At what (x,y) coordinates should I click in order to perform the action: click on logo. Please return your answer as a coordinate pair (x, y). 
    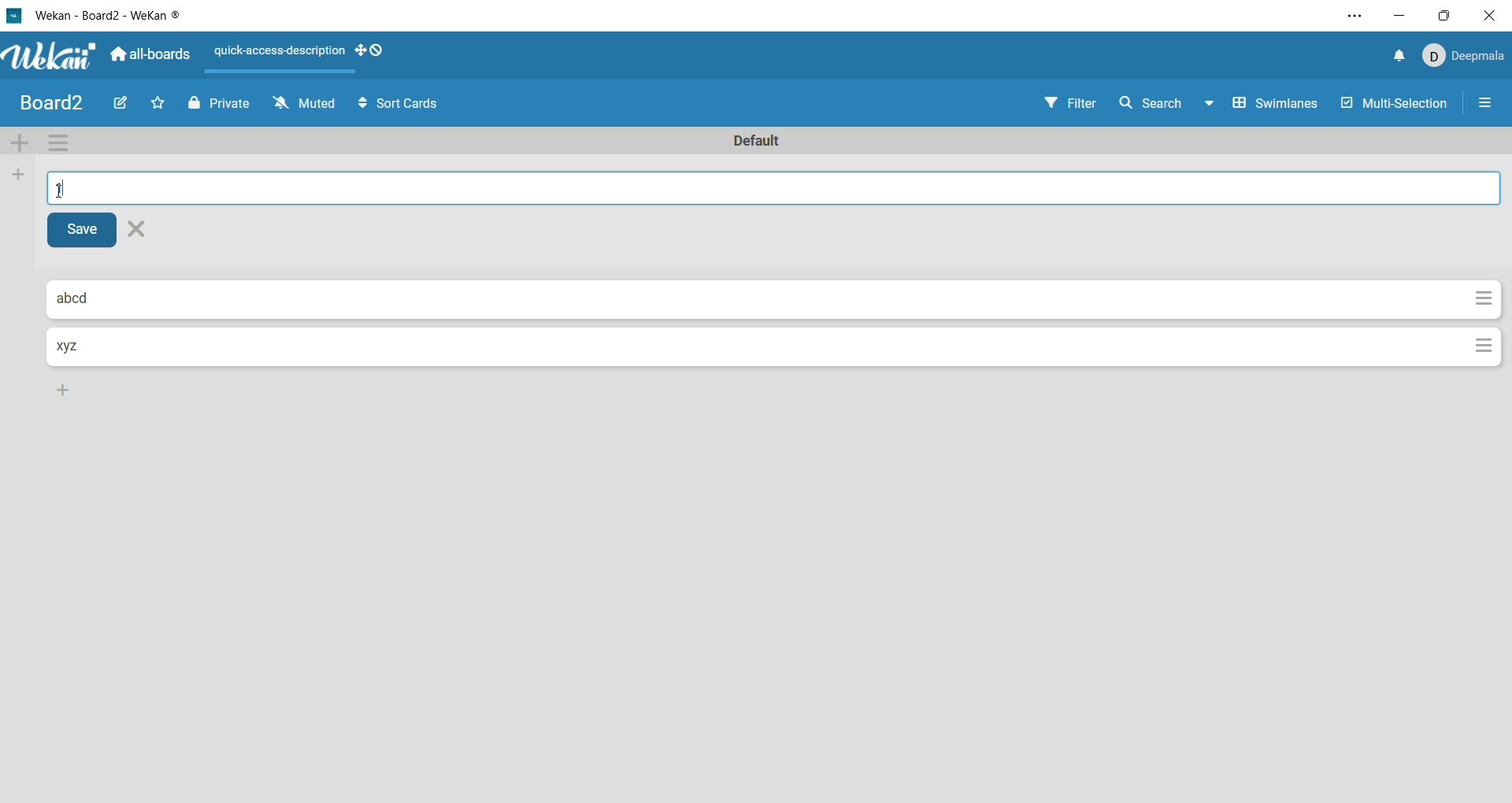
    Looking at the image, I should click on (13, 15).